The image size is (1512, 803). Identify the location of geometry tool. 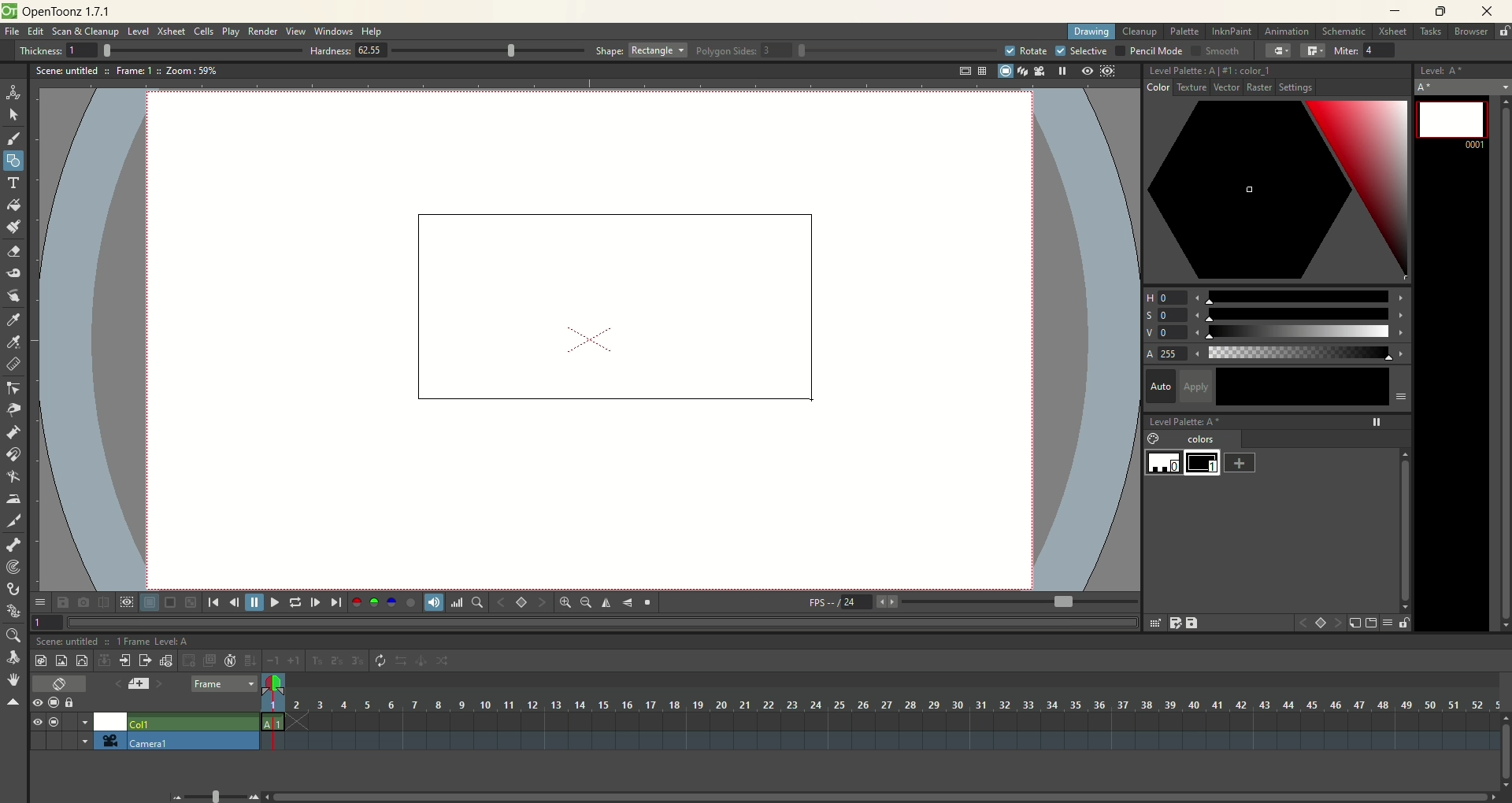
(13, 159).